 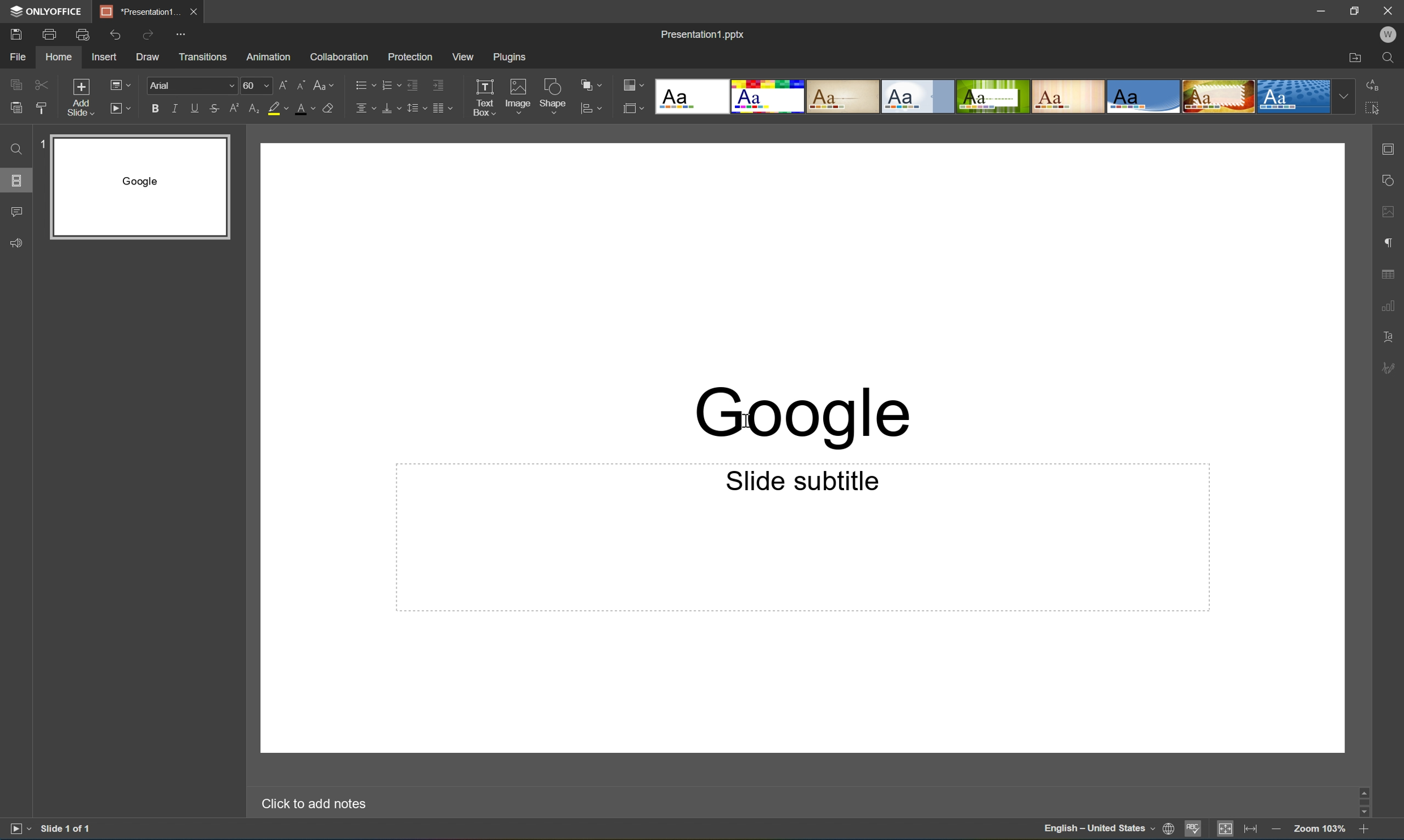 I want to click on Chart settings, so click(x=1388, y=306).